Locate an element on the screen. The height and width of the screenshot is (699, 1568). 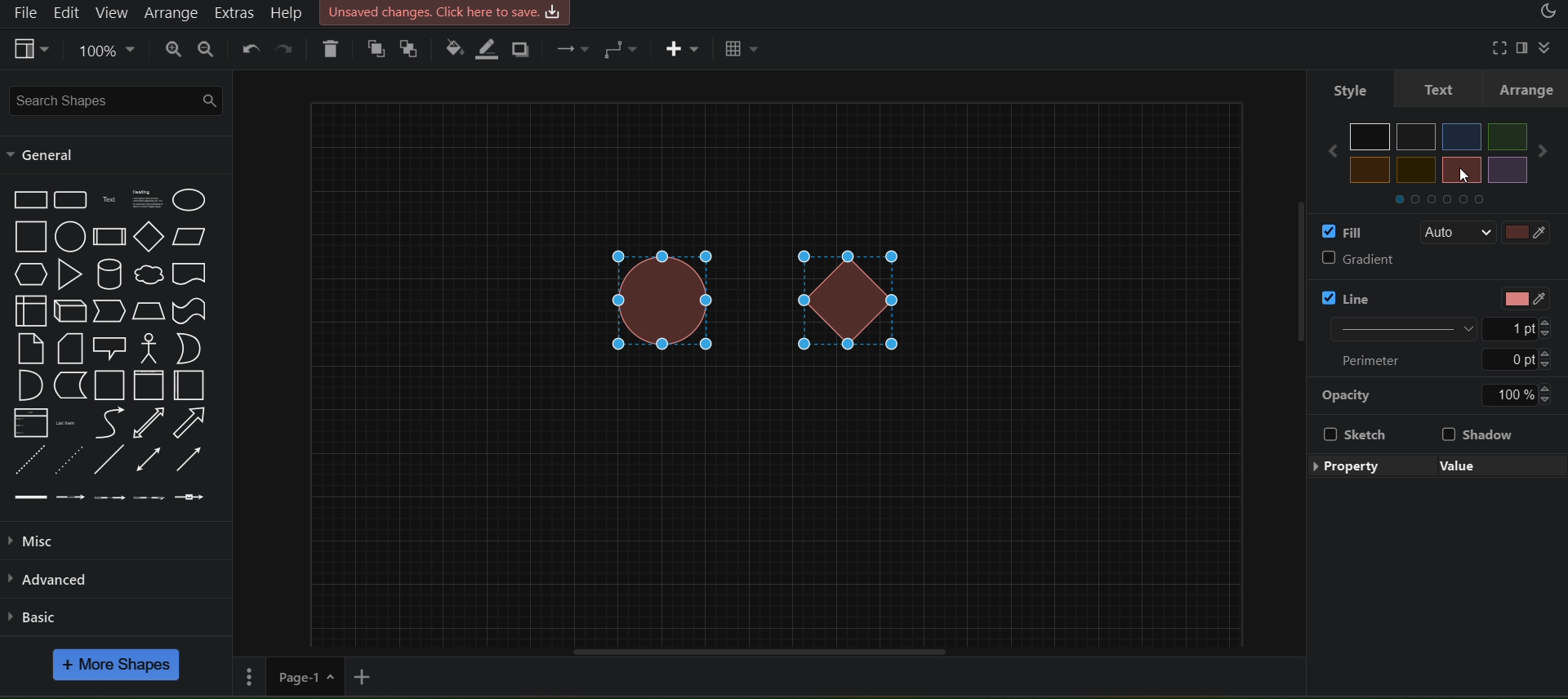
Unsaved changes is located at coordinates (443, 12).